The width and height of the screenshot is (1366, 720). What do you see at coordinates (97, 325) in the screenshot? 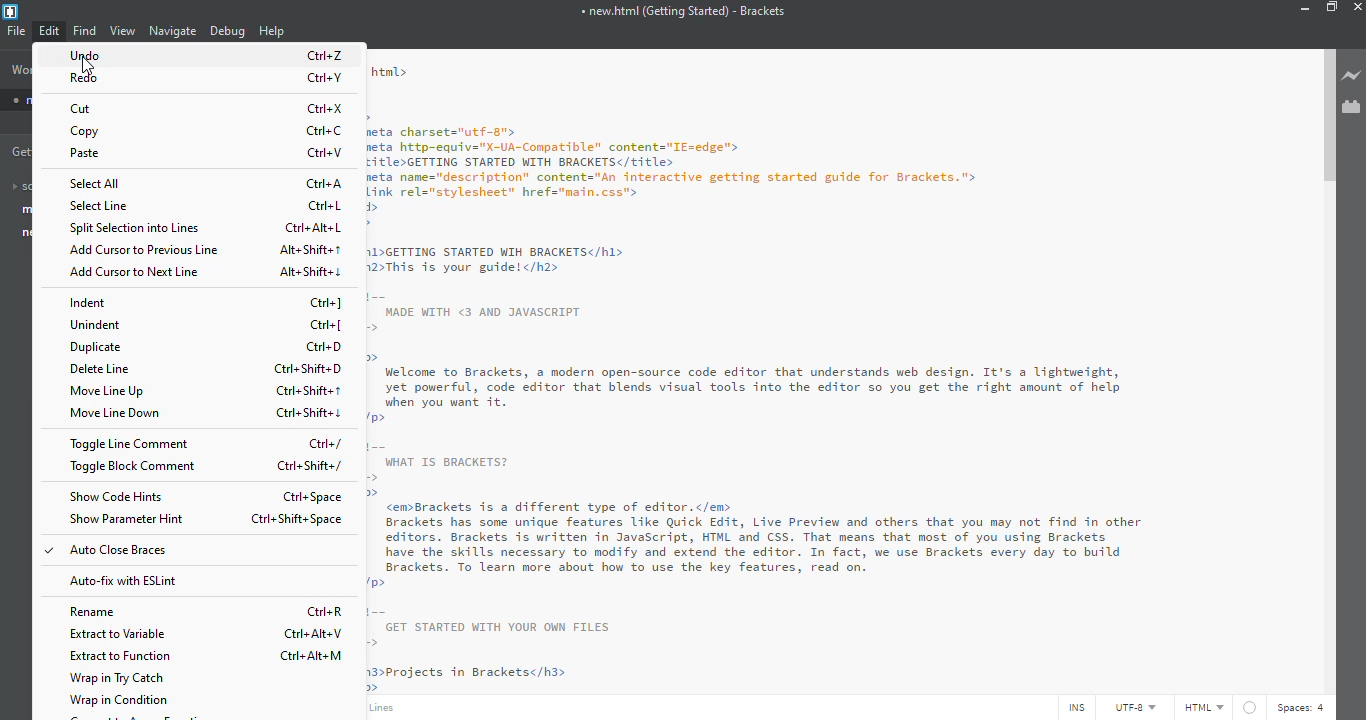
I see `unindent` at bounding box center [97, 325].